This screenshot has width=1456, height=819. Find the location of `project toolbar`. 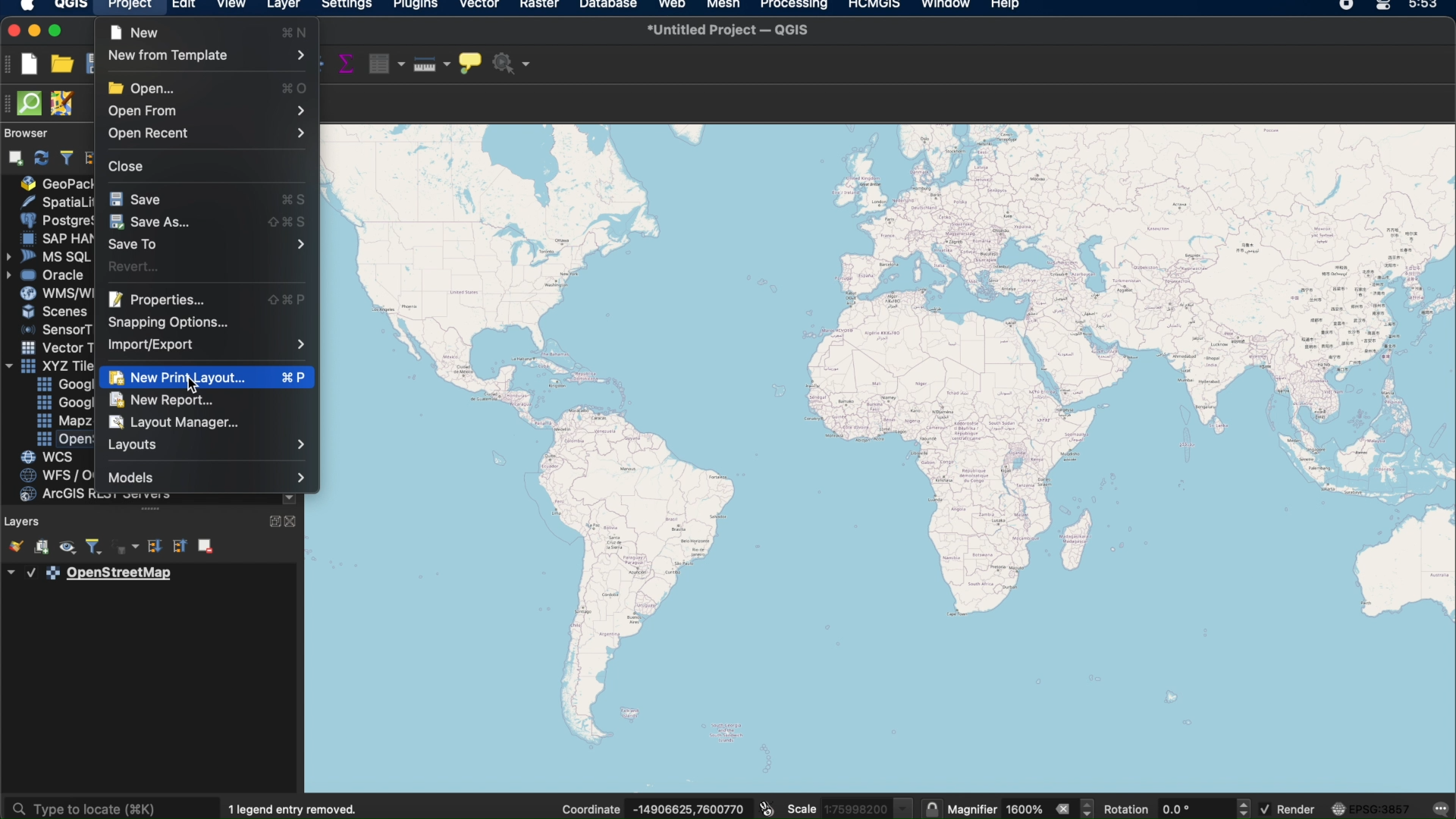

project toolbar is located at coordinates (9, 66).